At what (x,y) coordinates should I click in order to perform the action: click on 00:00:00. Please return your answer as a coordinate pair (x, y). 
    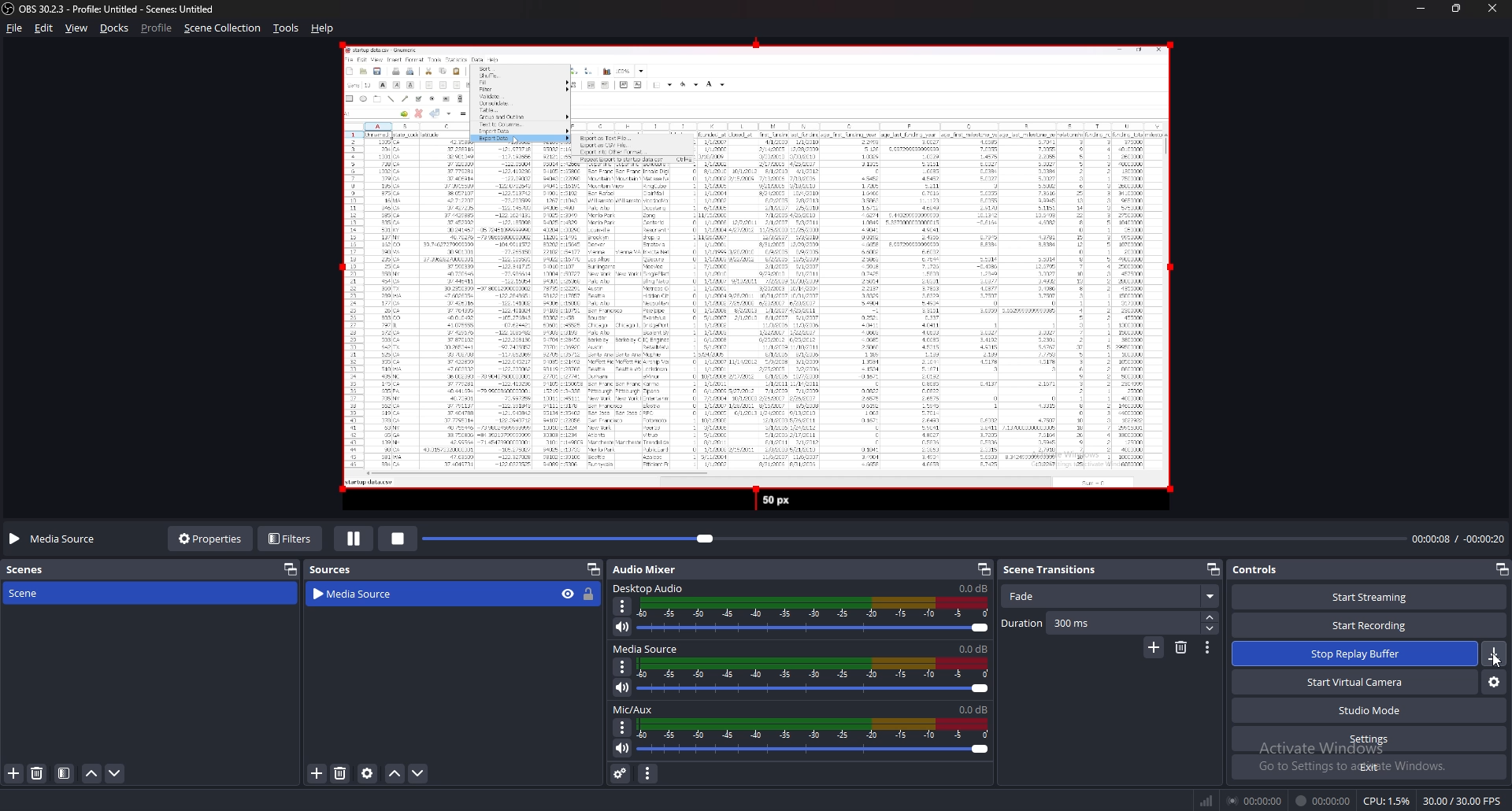
    Looking at the image, I should click on (1324, 801).